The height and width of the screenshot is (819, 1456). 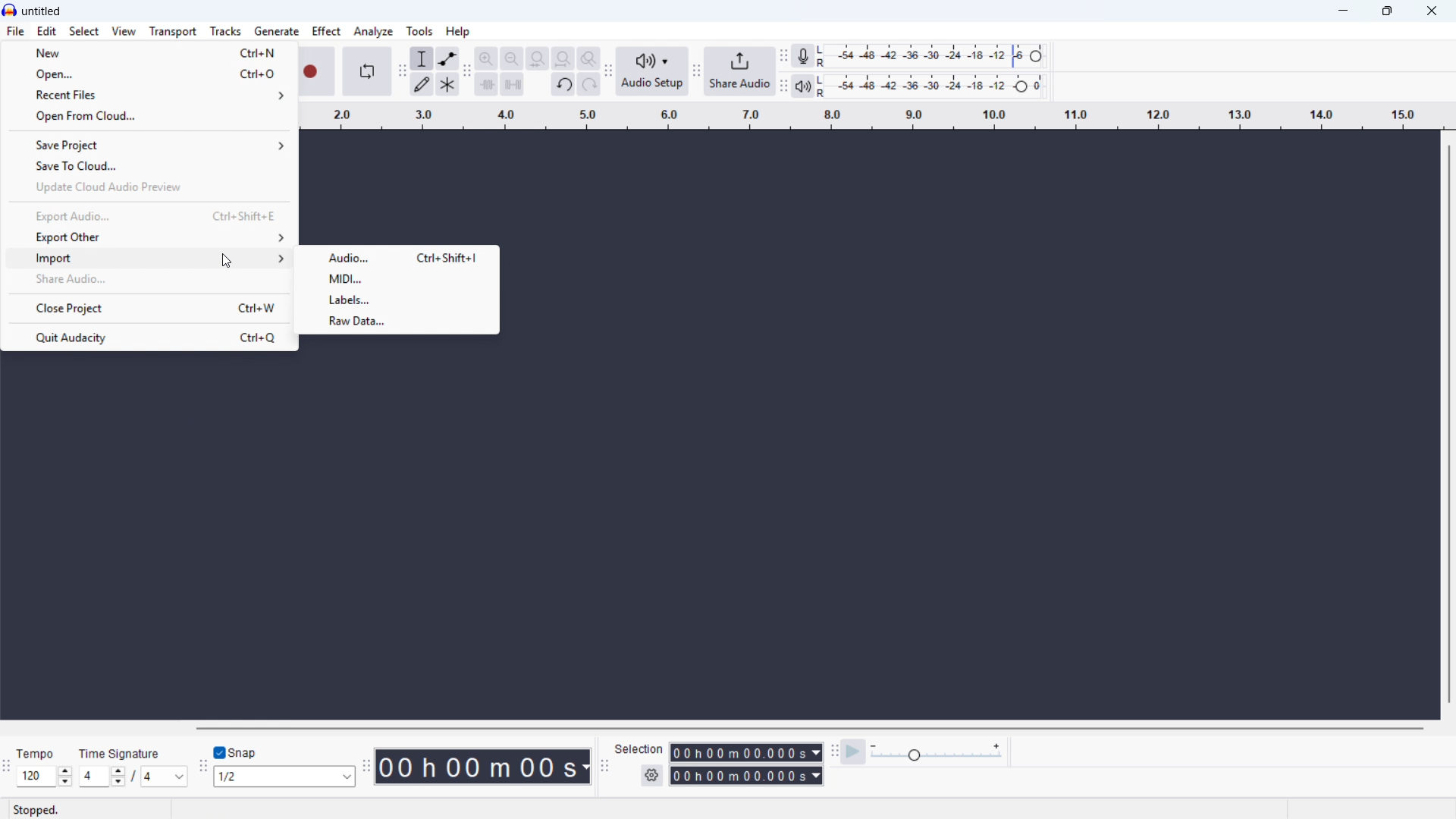 I want to click on Multi - tool , so click(x=448, y=84).